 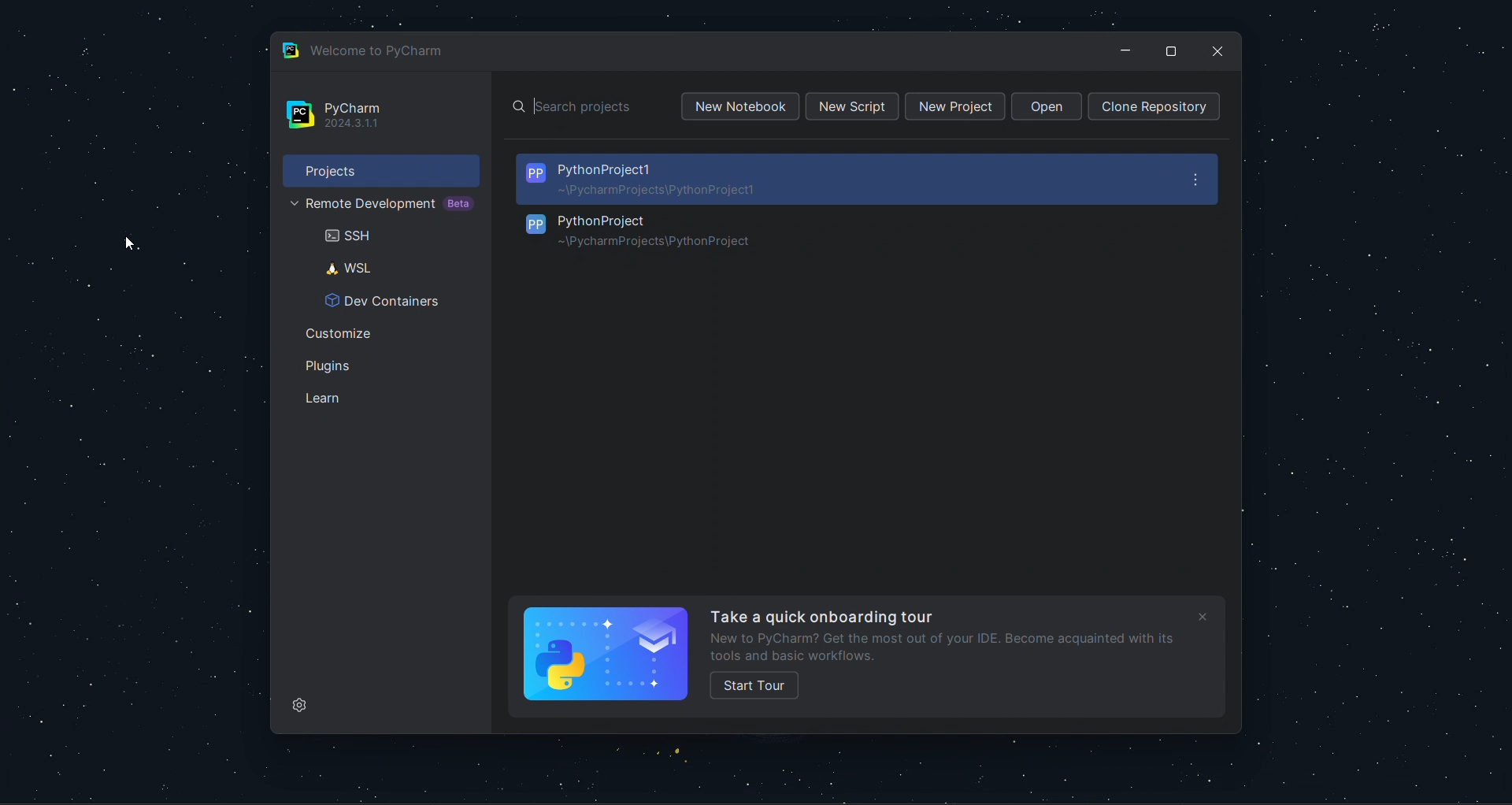 What do you see at coordinates (671, 191) in the screenshot?
I see `Project Path` at bounding box center [671, 191].